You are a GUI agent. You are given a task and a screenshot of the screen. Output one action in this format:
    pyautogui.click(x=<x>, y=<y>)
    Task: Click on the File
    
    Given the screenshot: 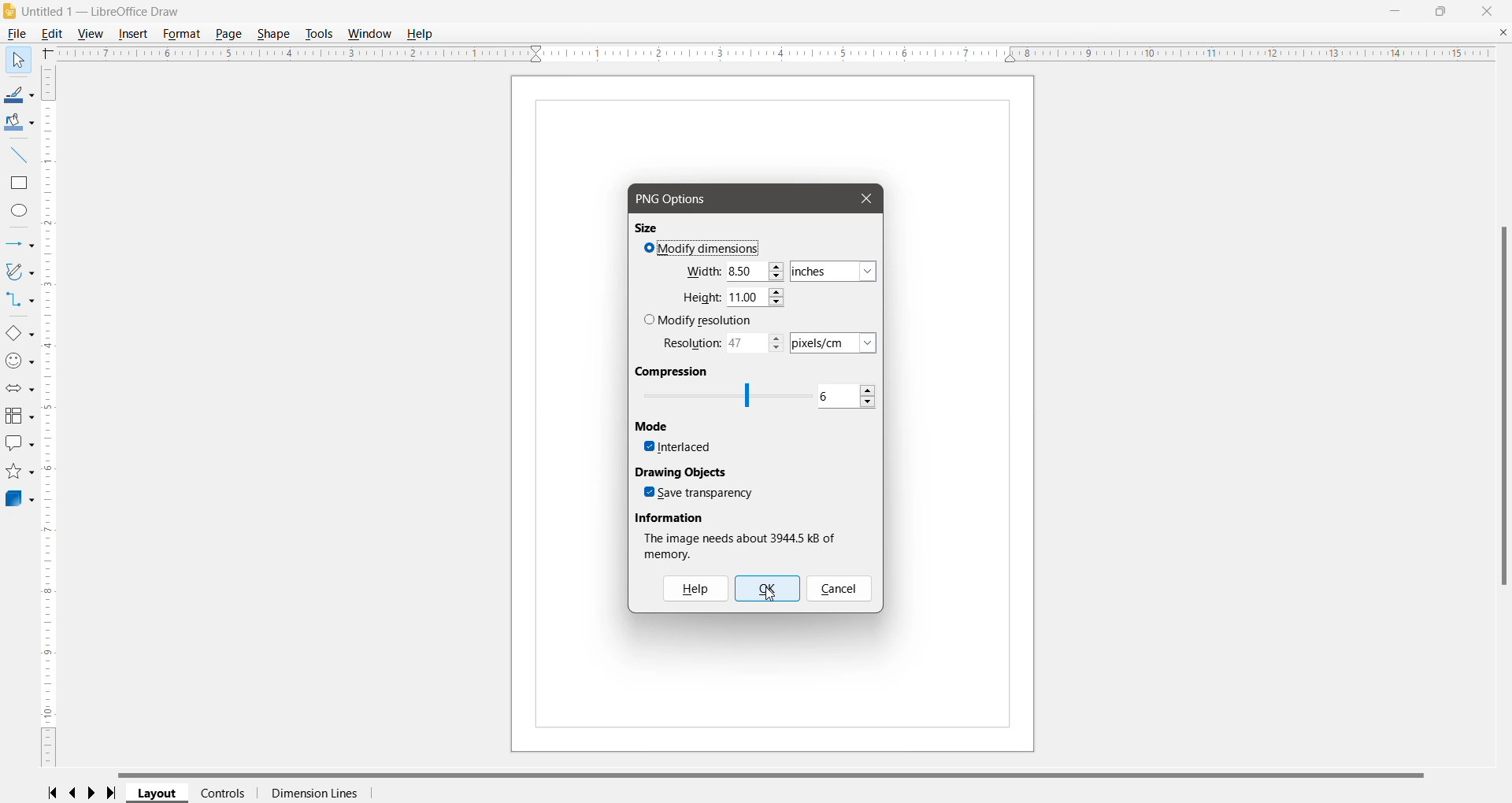 What is the action you would take?
    pyautogui.click(x=15, y=35)
    